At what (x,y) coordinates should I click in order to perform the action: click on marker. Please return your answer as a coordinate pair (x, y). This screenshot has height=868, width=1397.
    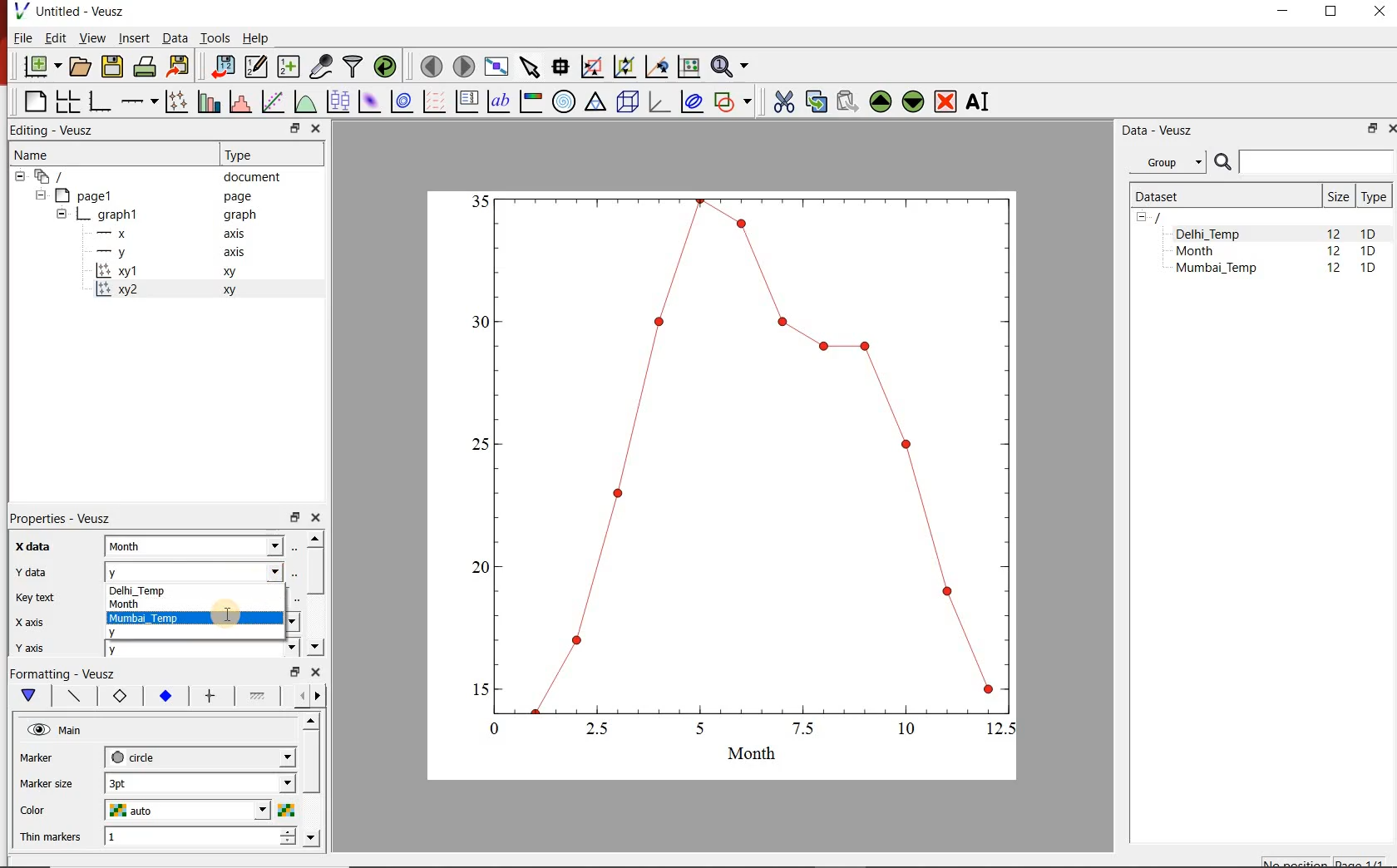
    Looking at the image, I should click on (49, 757).